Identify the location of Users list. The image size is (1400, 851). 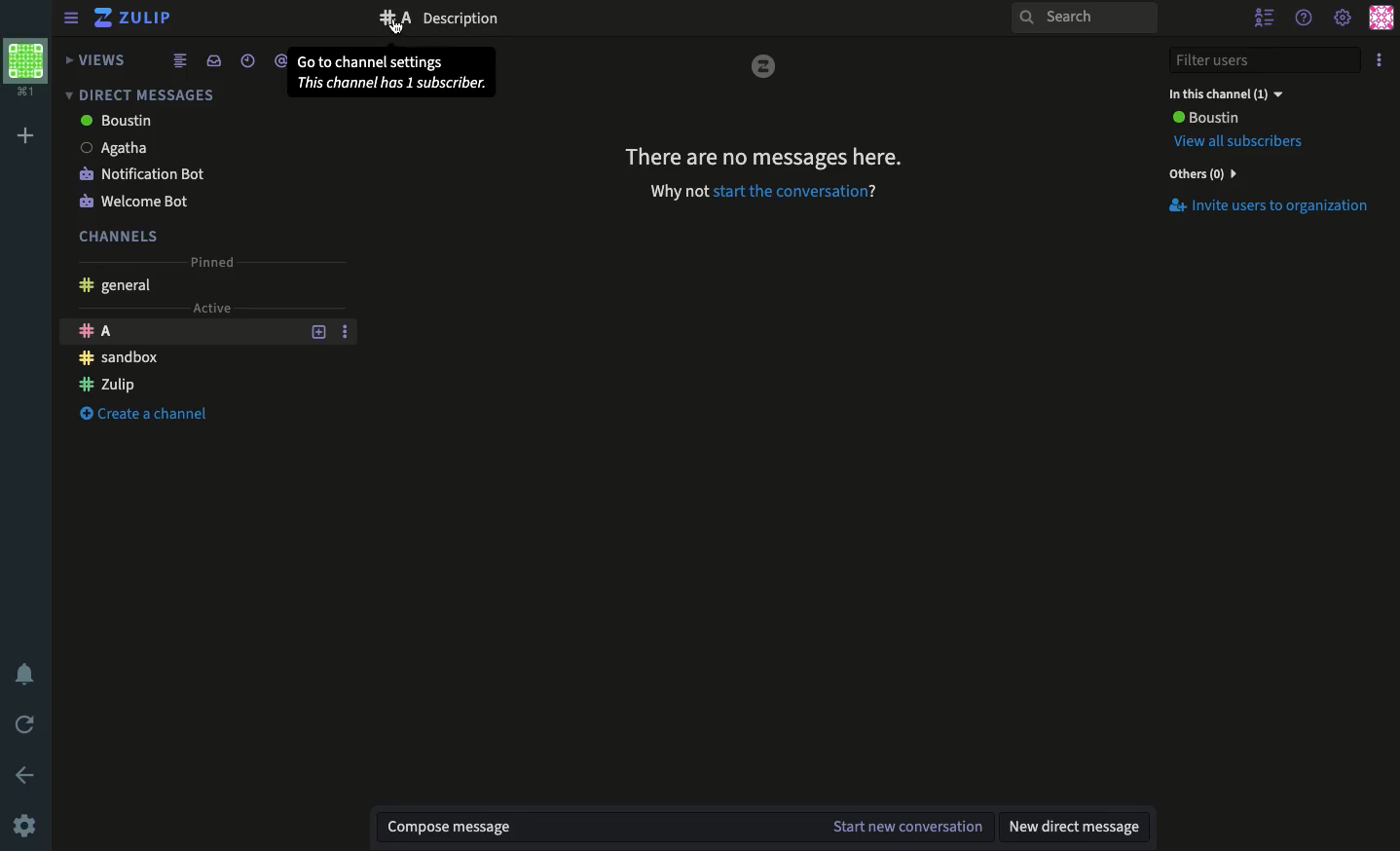
(1267, 18).